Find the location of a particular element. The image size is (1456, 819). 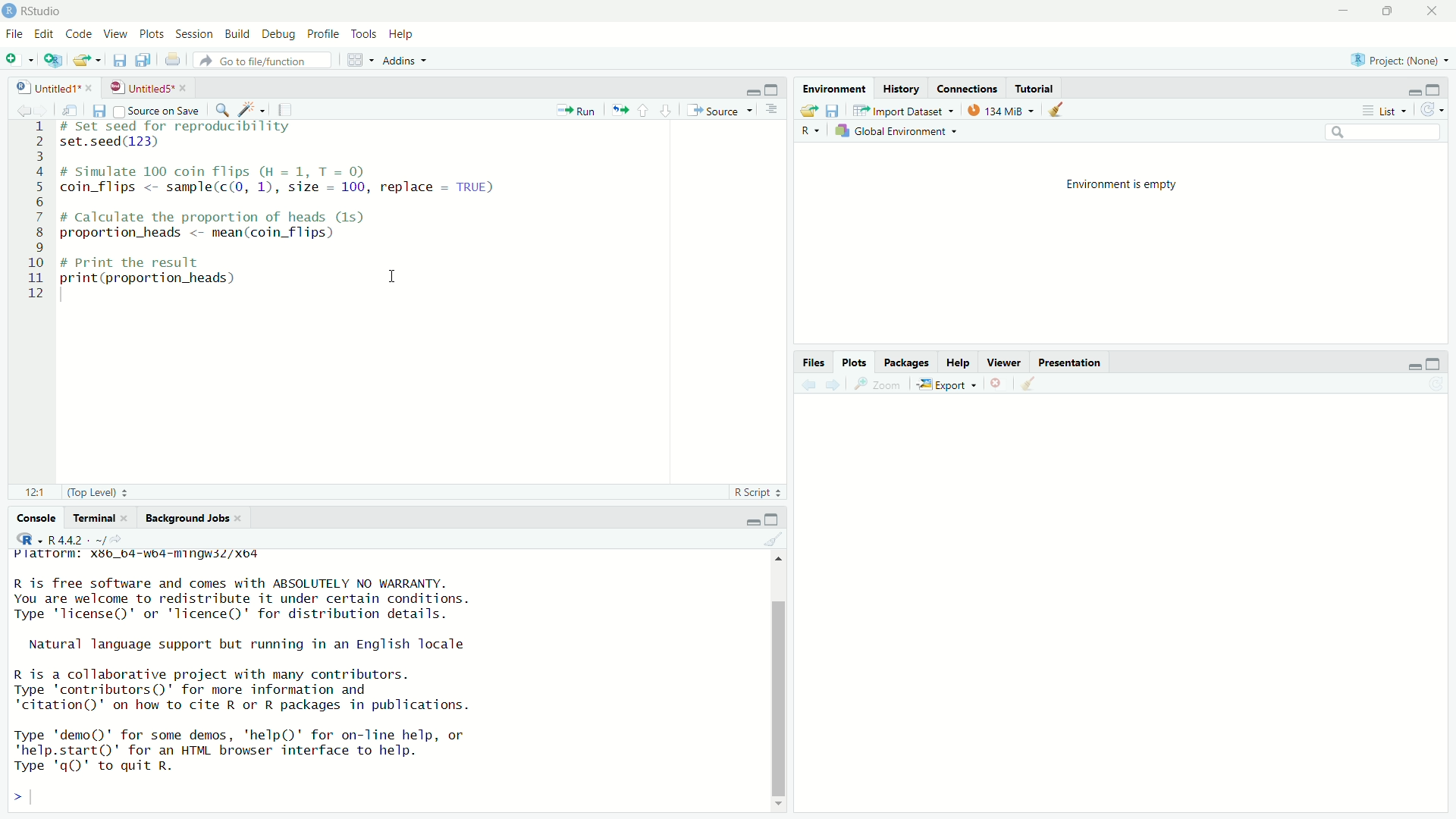

cursor is located at coordinates (393, 276).